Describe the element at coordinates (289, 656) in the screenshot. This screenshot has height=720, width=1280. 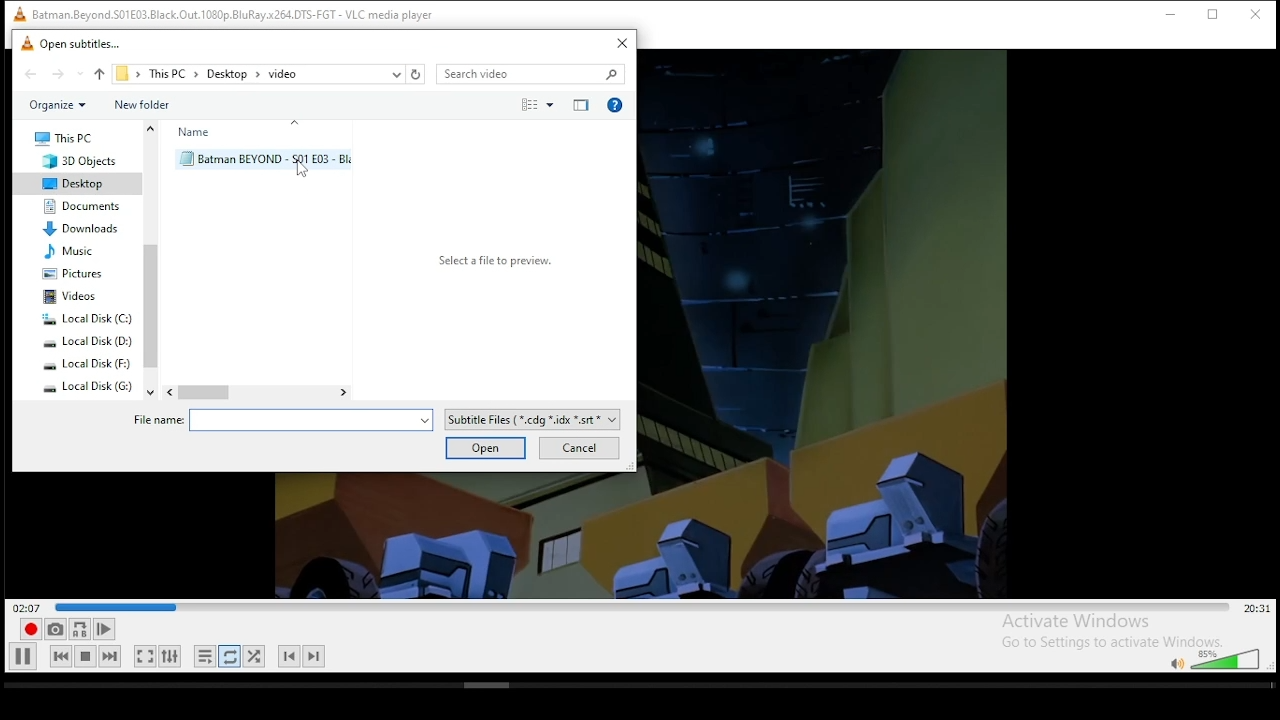
I see `previous chapter` at that location.